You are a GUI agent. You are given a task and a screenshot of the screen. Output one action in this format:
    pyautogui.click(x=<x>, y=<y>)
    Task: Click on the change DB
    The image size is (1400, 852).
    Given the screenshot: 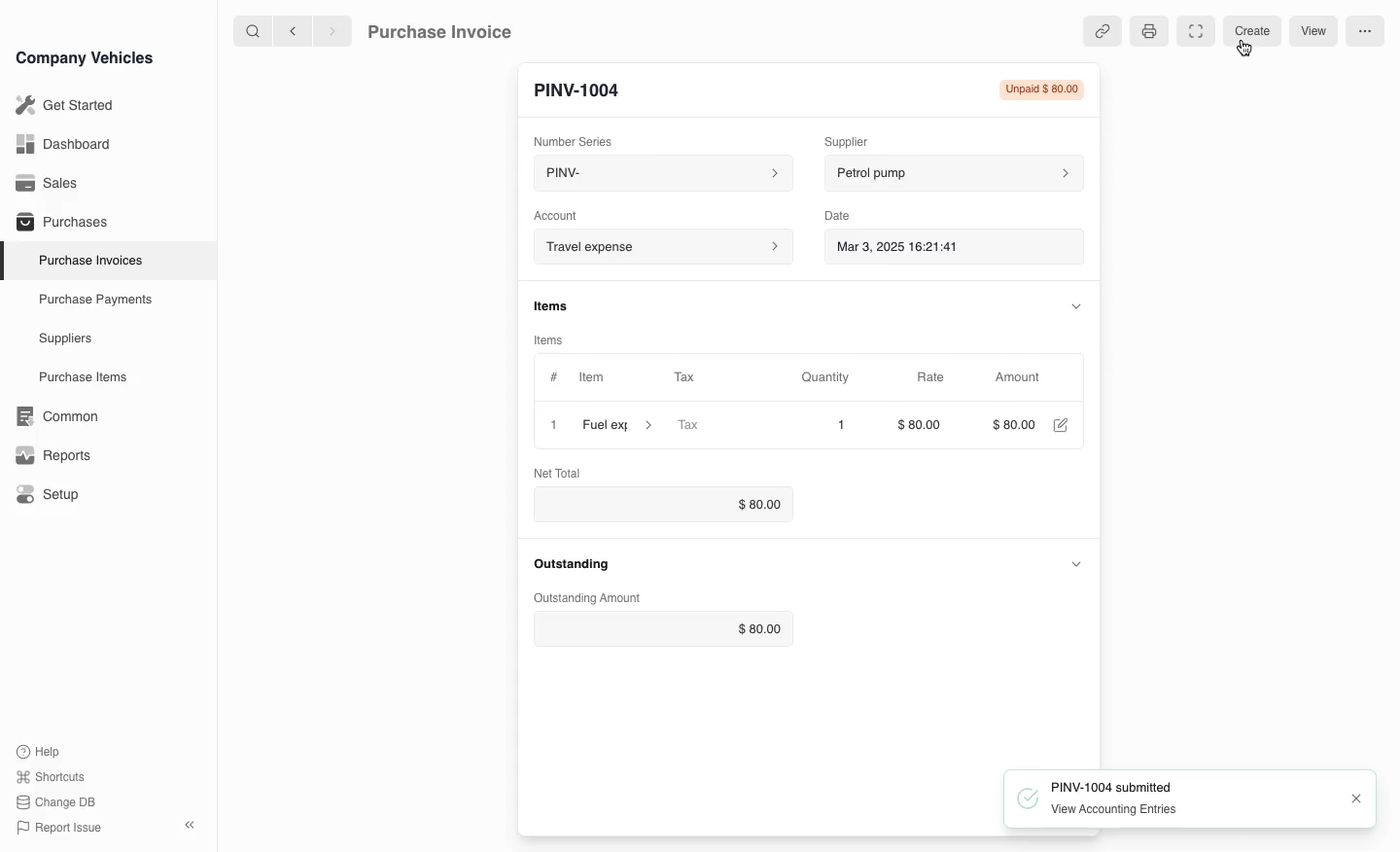 What is the action you would take?
    pyautogui.click(x=58, y=802)
    